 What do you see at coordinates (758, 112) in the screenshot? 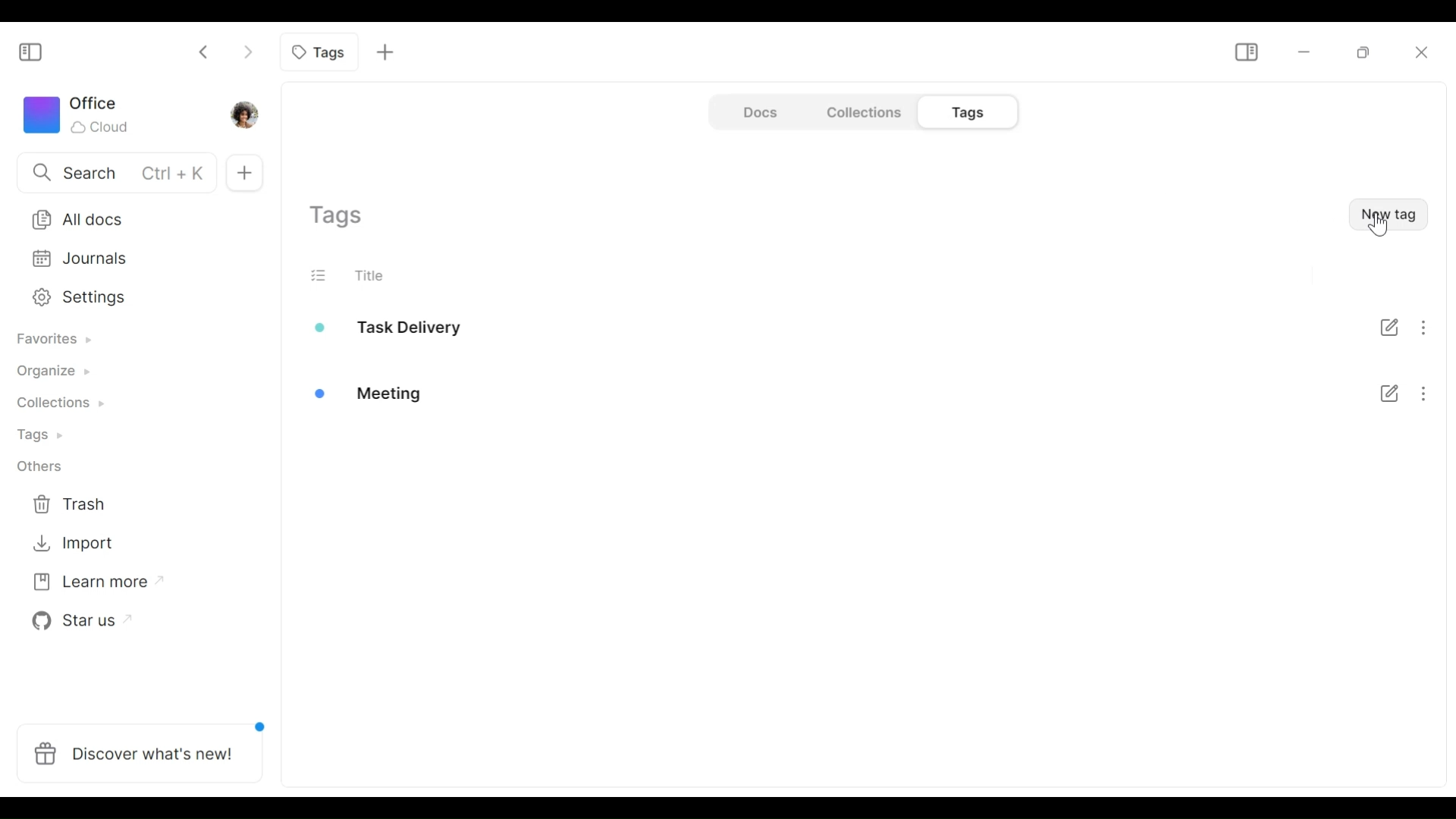
I see `Document` at bounding box center [758, 112].